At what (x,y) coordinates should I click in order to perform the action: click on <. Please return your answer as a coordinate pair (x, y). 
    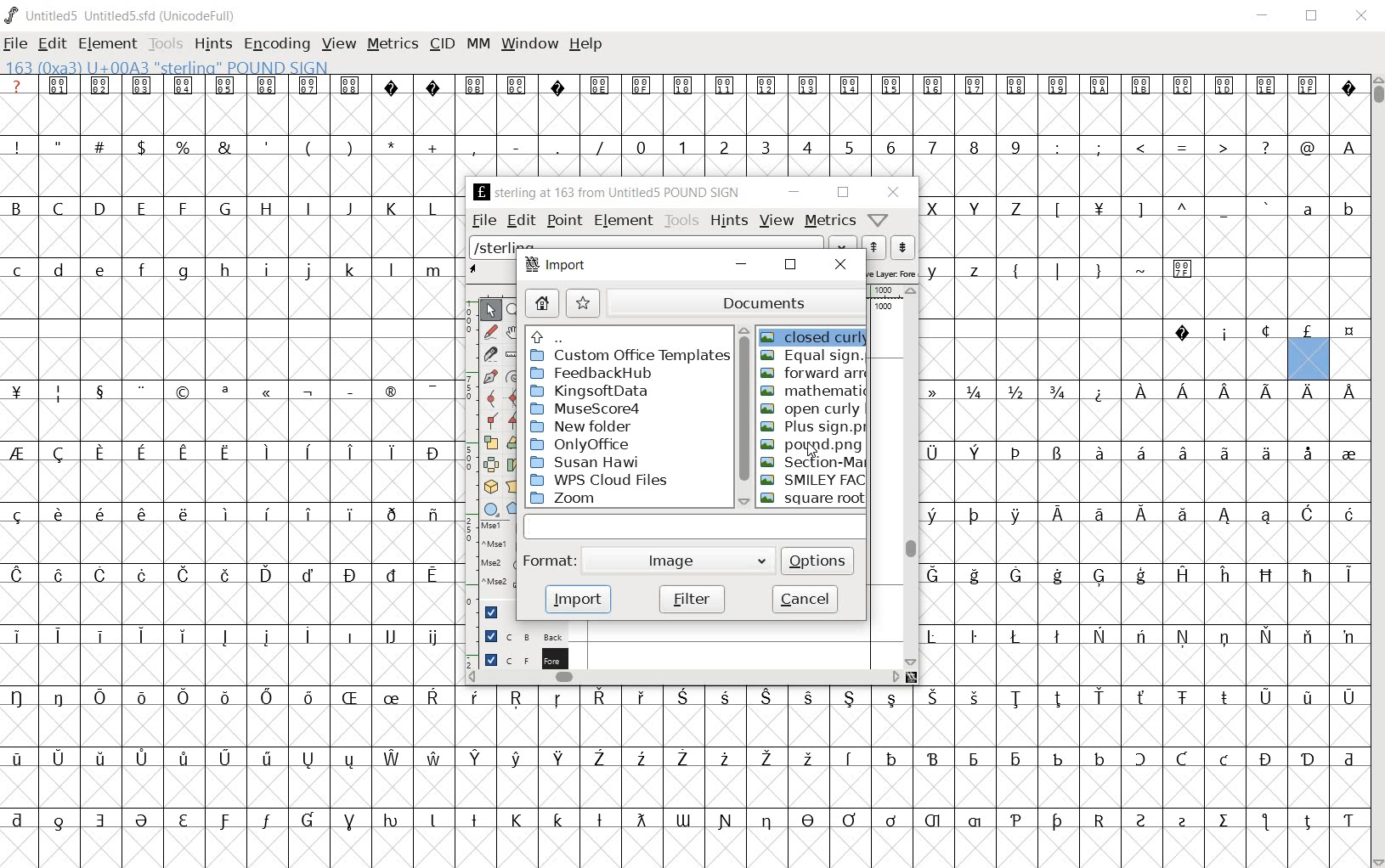
    Looking at the image, I should click on (1139, 148).